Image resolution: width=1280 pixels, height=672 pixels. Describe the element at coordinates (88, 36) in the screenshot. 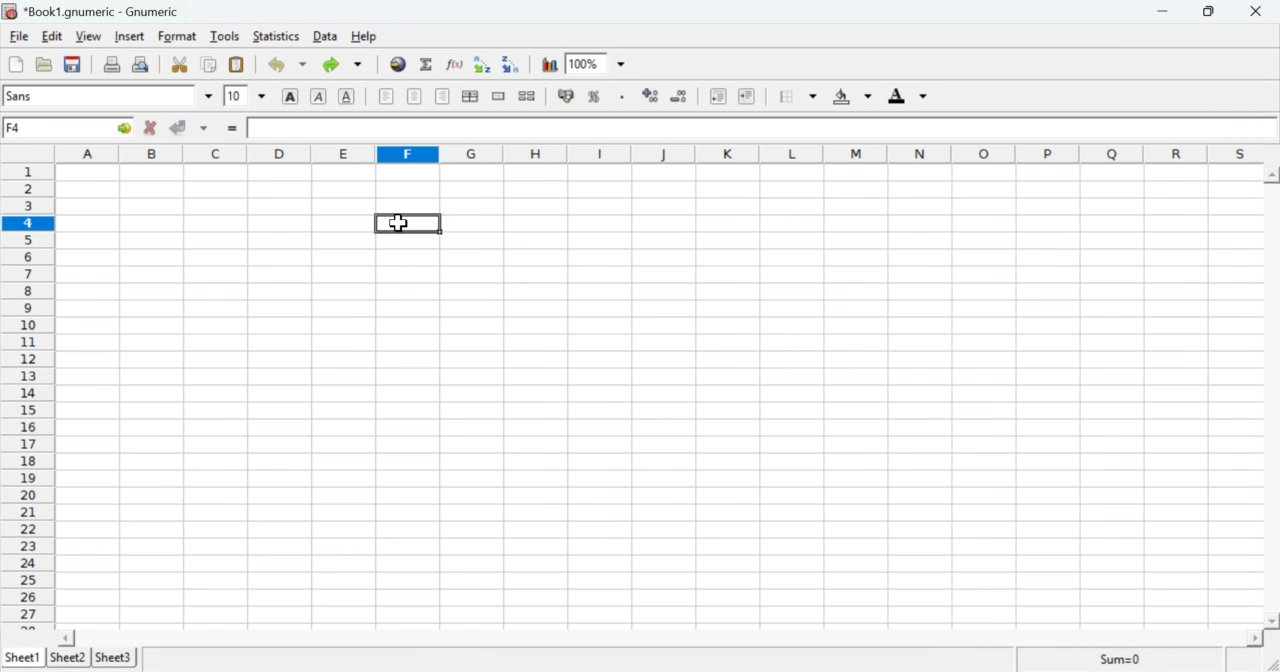

I see `View` at that location.